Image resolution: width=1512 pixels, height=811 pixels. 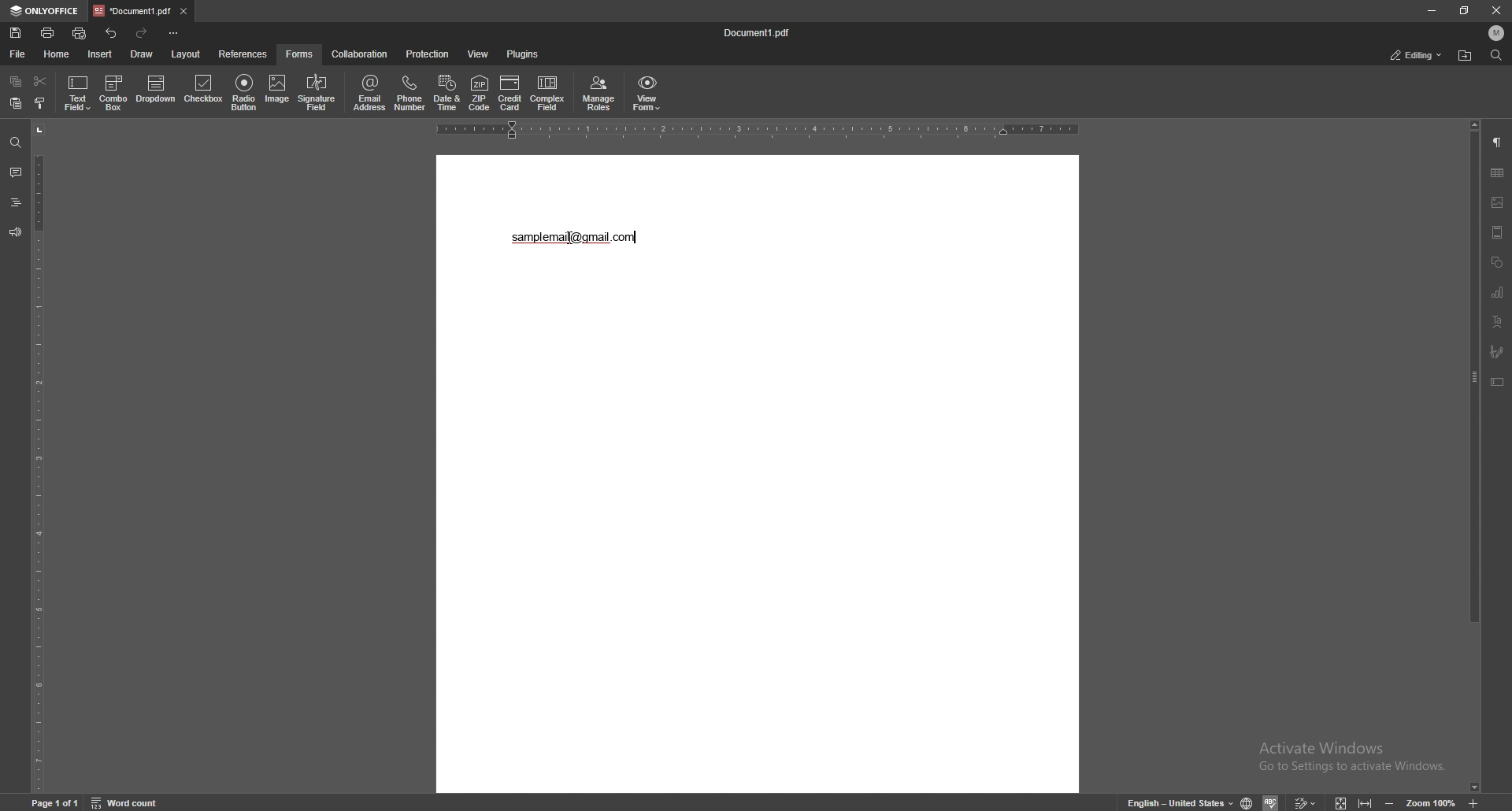 What do you see at coordinates (1473, 800) in the screenshot?
I see `zoom in` at bounding box center [1473, 800].